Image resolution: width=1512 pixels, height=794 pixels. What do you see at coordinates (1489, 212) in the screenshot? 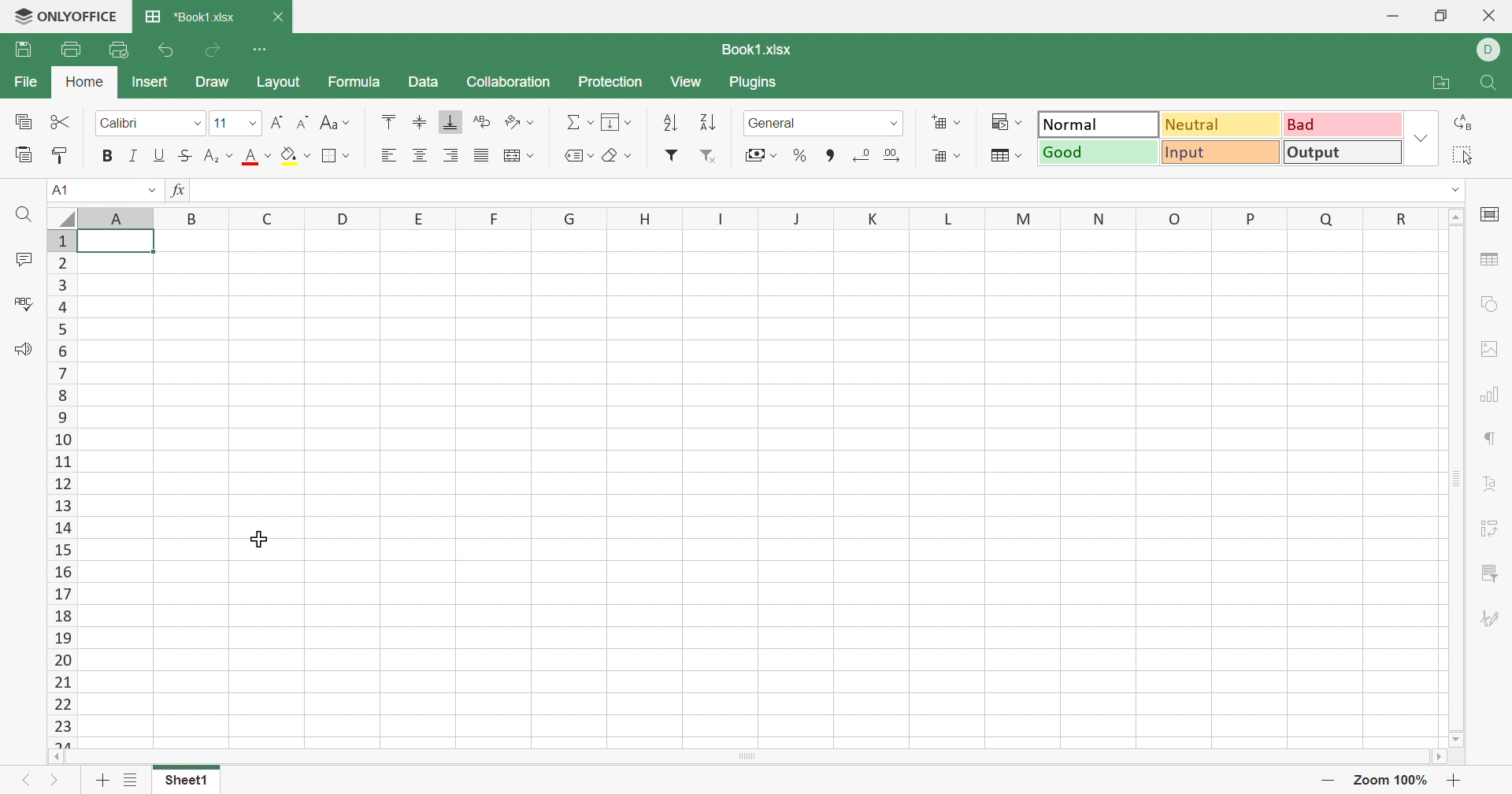
I see `Slide settings` at bounding box center [1489, 212].